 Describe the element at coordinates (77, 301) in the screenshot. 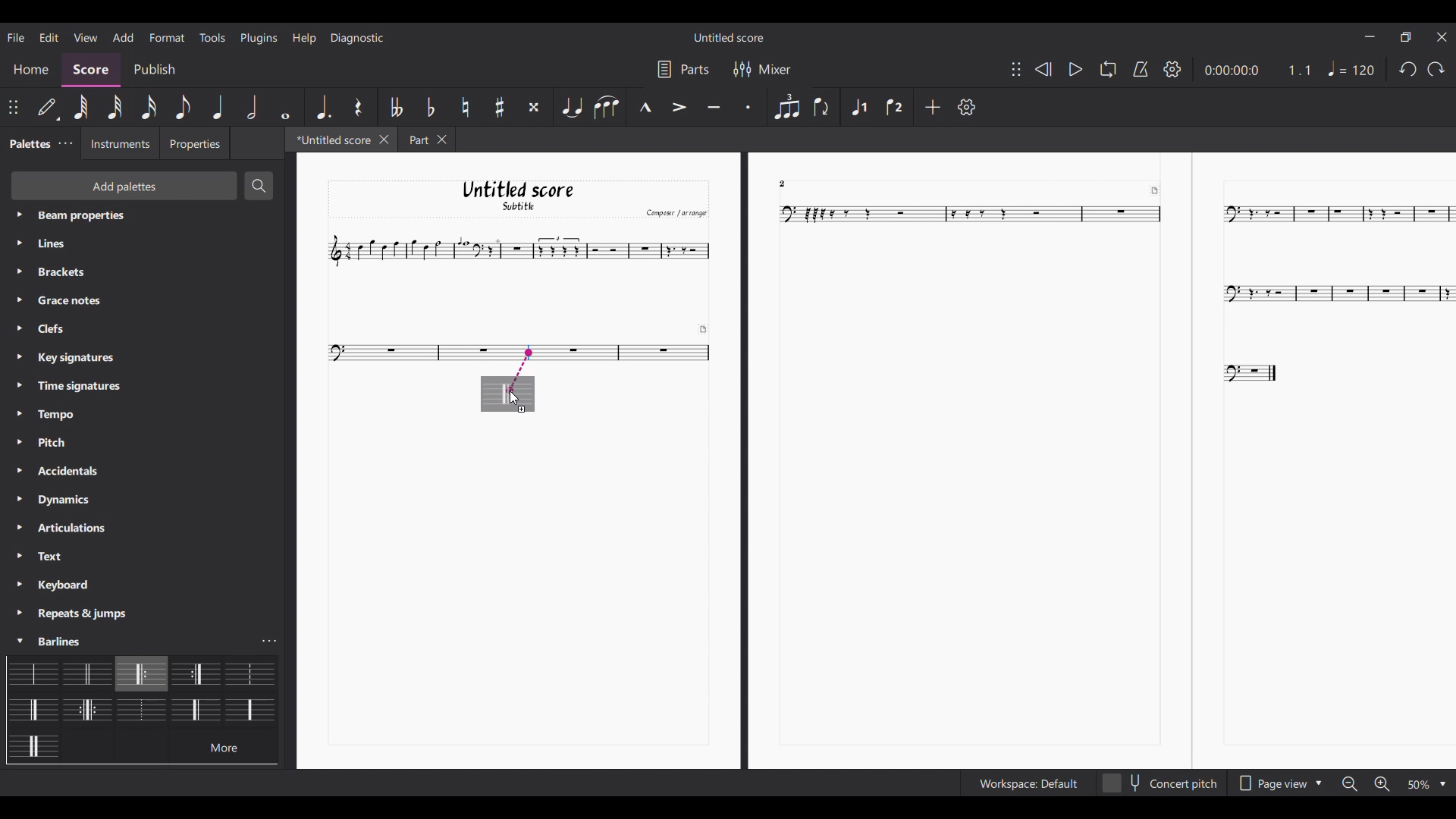

I see `Palette settings` at that location.